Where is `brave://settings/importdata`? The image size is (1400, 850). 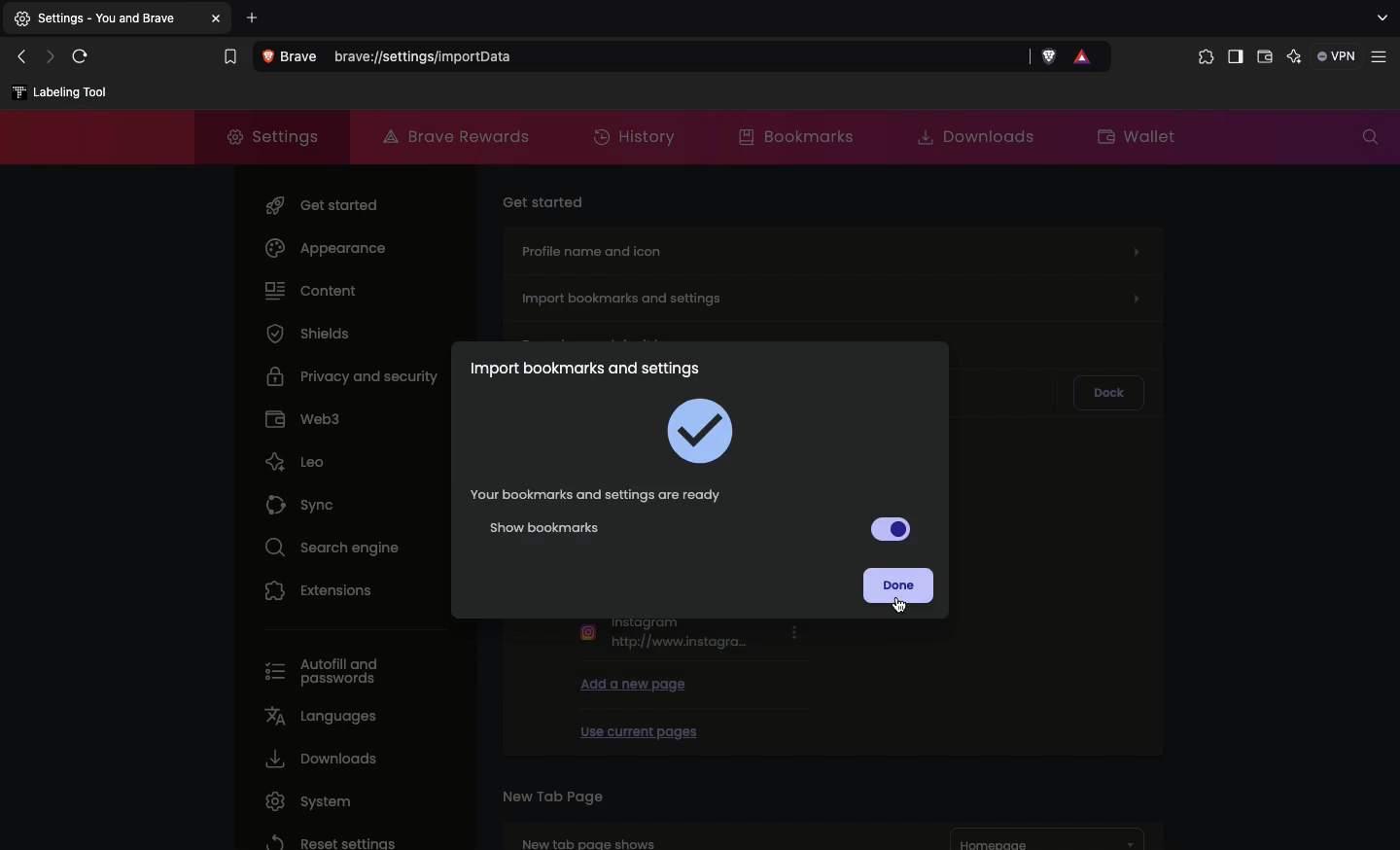
brave://settings/importdata is located at coordinates (682, 58).